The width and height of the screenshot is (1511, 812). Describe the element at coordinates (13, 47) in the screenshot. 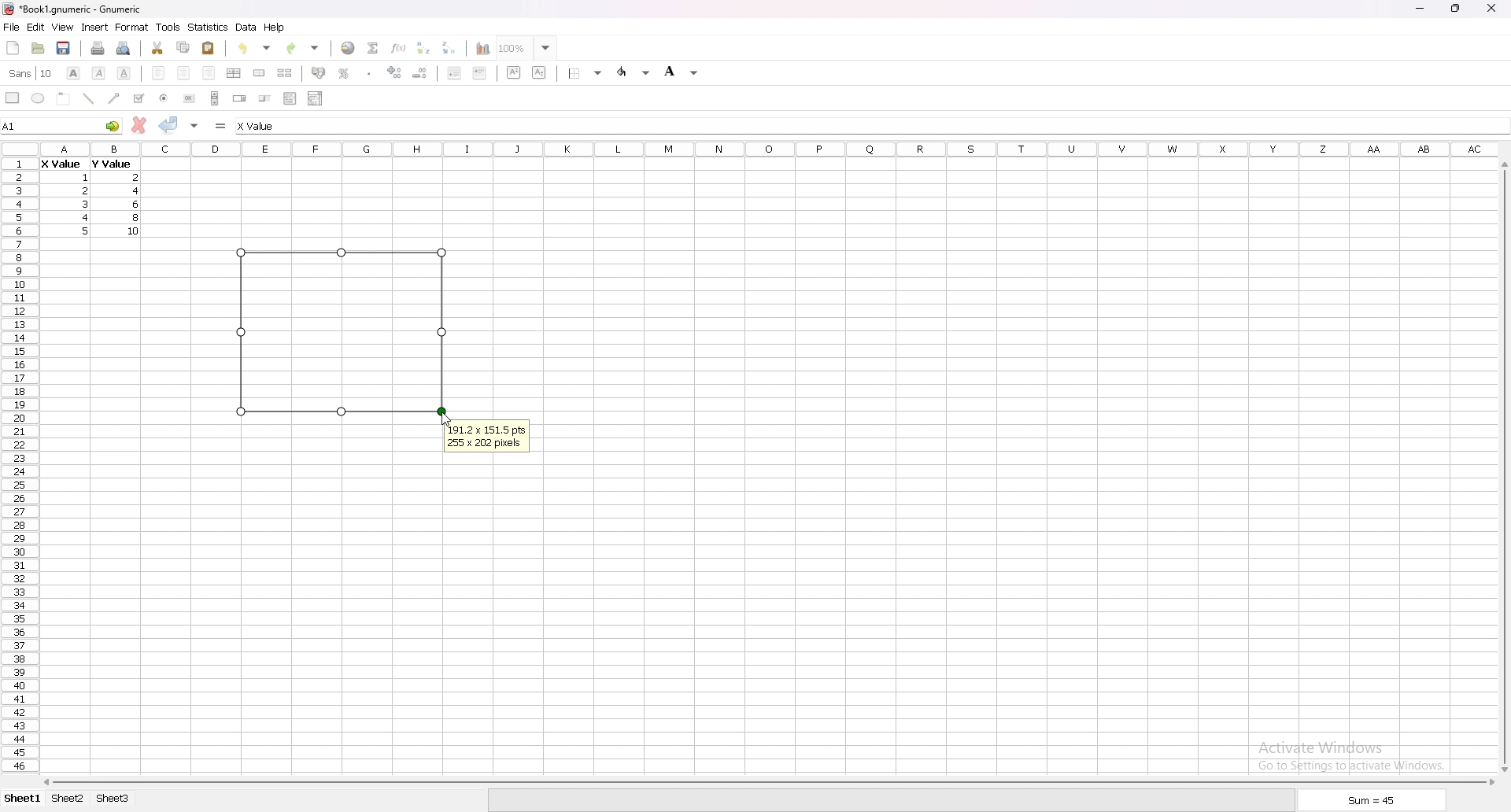

I see `new` at that location.